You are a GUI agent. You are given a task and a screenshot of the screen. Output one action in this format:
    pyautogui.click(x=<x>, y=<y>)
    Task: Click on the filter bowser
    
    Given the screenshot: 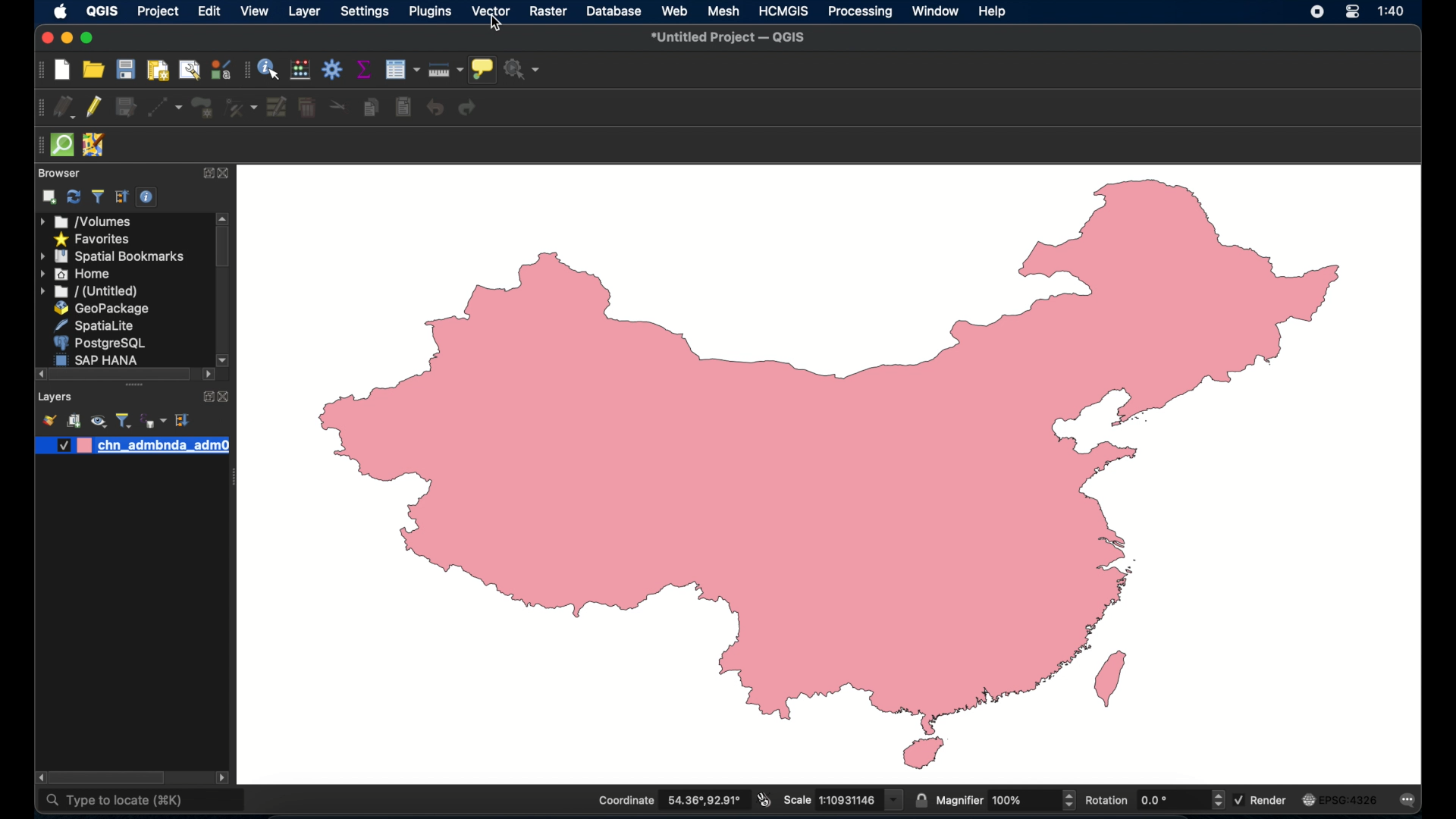 What is the action you would take?
    pyautogui.click(x=96, y=196)
    